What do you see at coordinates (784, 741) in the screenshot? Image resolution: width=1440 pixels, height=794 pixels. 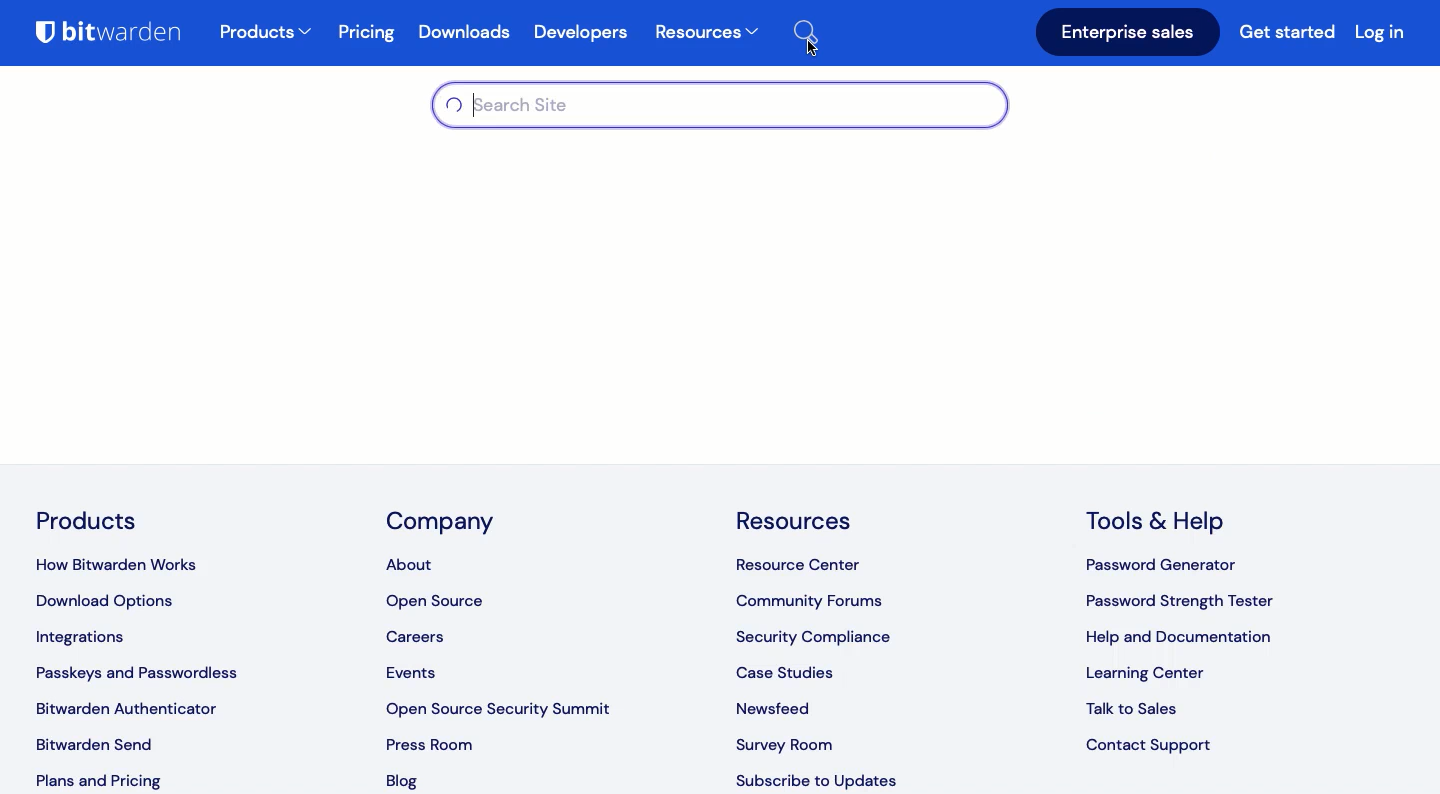 I see `survey room` at bounding box center [784, 741].